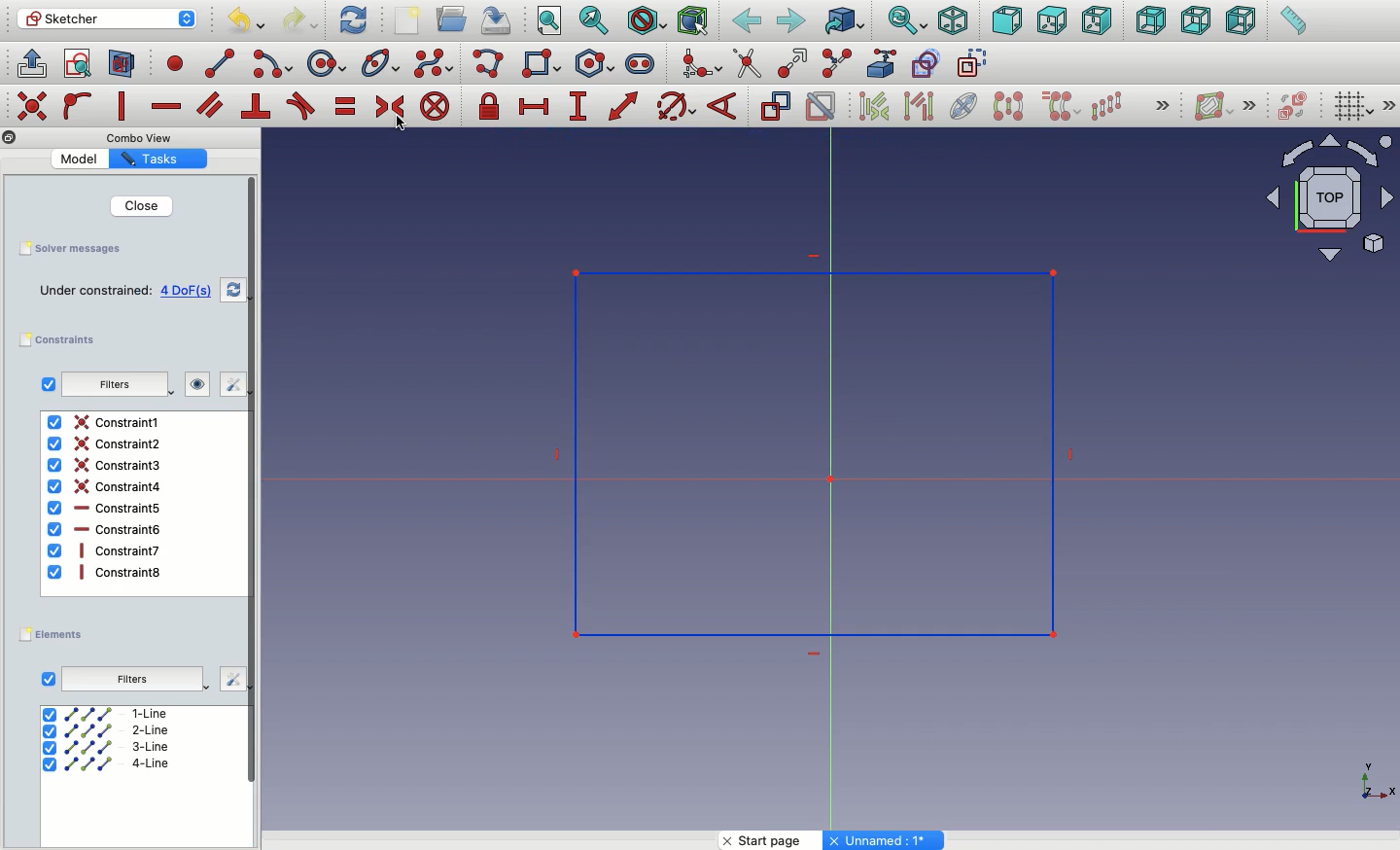 Image resolution: width=1400 pixels, height=850 pixels. What do you see at coordinates (78, 105) in the screenshot?
I see `constrain point onto object` at bounding box center [78, 105].